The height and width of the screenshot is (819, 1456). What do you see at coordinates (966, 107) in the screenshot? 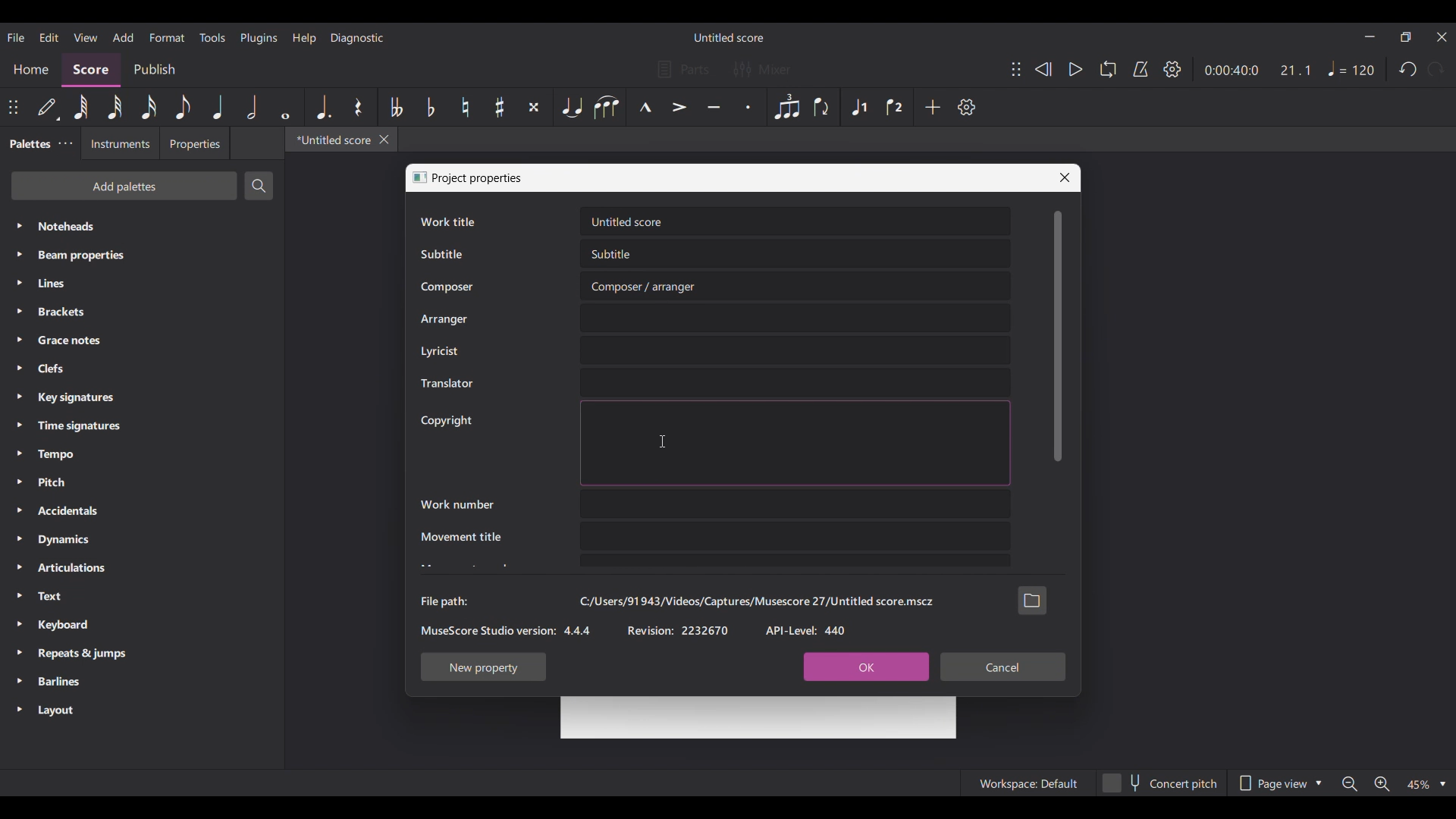
I see `Settings` at bounding box center [966, 107].